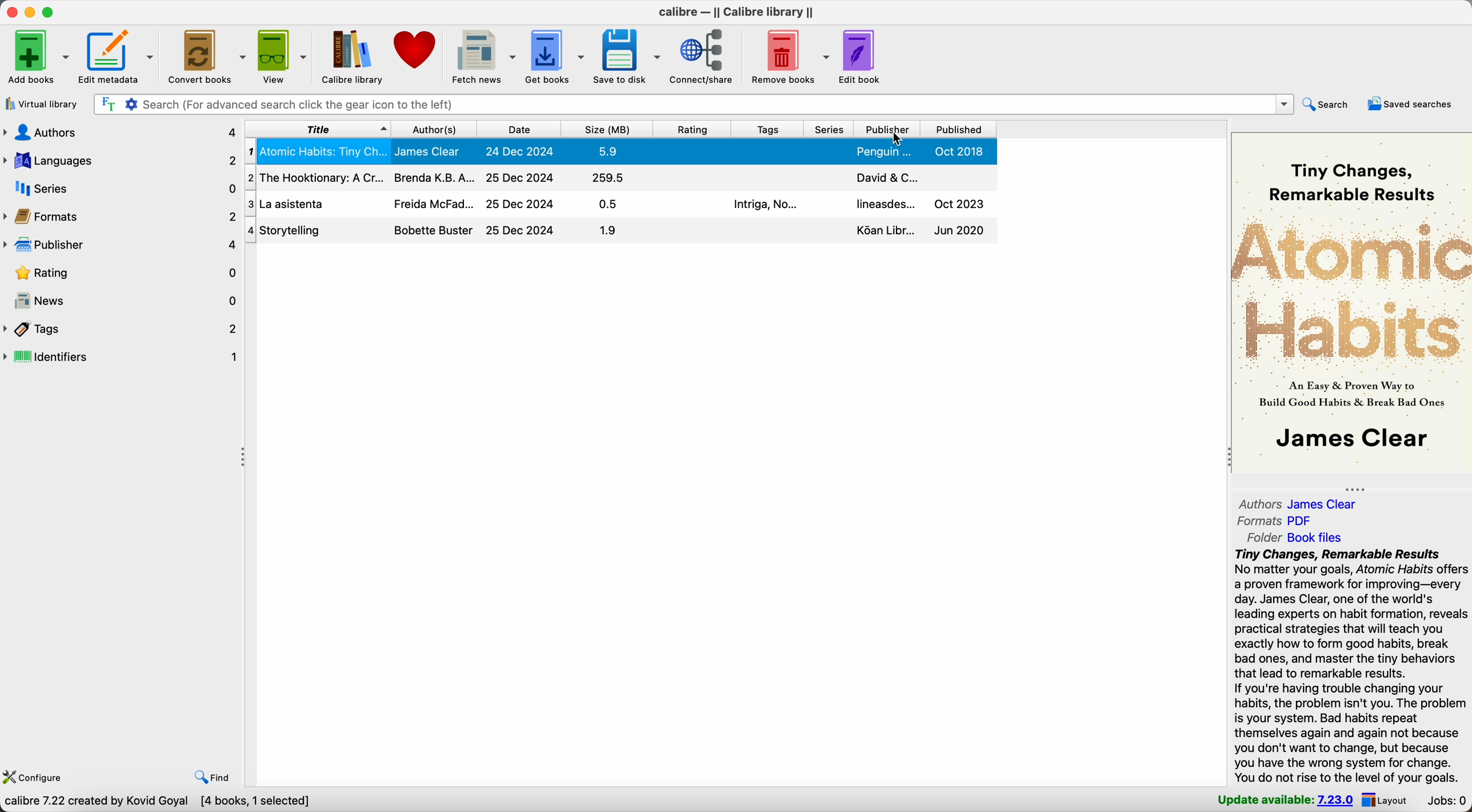 Image resolution: width=1472 pixels, height=812 pixels. What do you see at coordinates (607, 179) in the screenshot?
I see `259.5` at bounding box center [607, 179].